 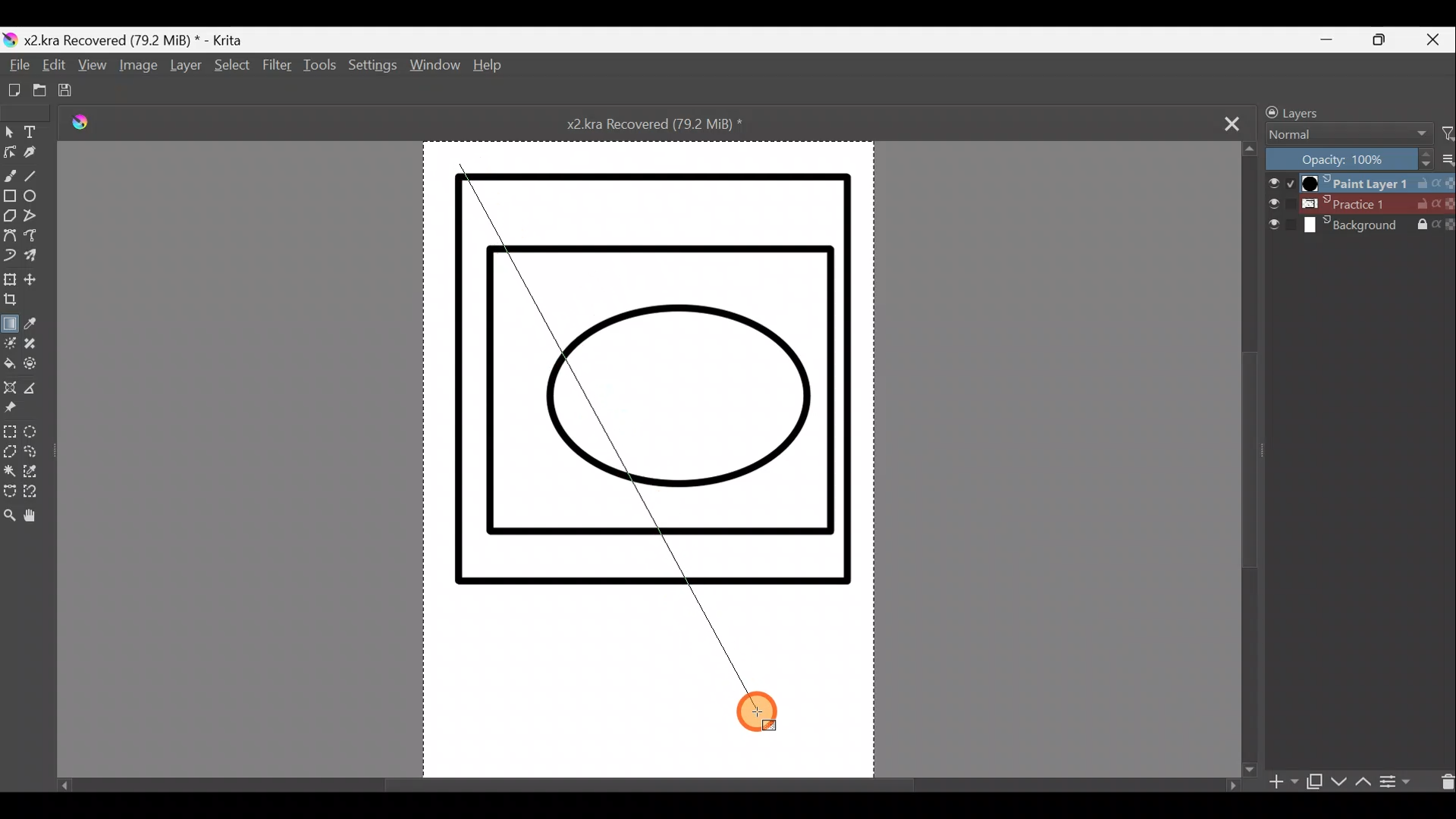 What do you see at coordinates (649, 453) in the screenshot?
I see `Canvas` at bounding box center [649, 453].